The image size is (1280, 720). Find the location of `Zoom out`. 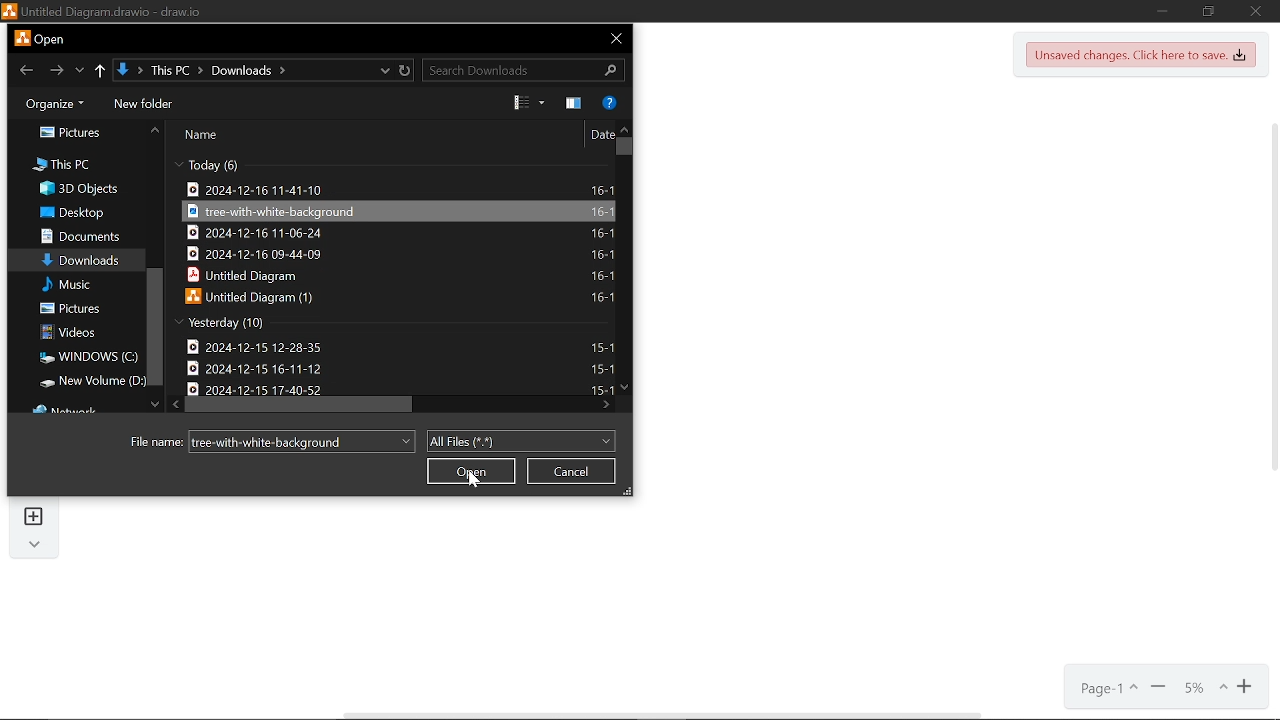

Zoom out is located at coordinates (1158, 688).